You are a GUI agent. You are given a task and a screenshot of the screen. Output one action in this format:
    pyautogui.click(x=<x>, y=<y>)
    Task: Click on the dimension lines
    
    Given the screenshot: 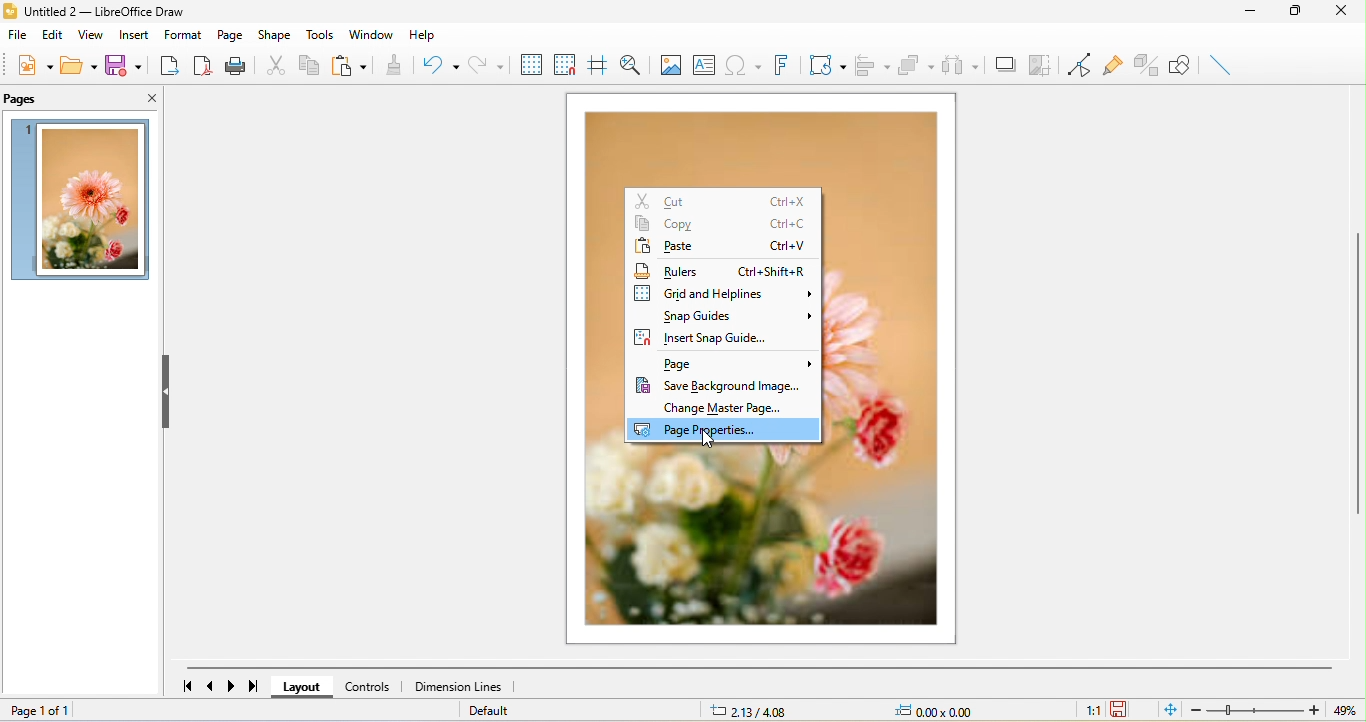 What is the action you would take?
    pyautogui.click(x=463, y=687)
    